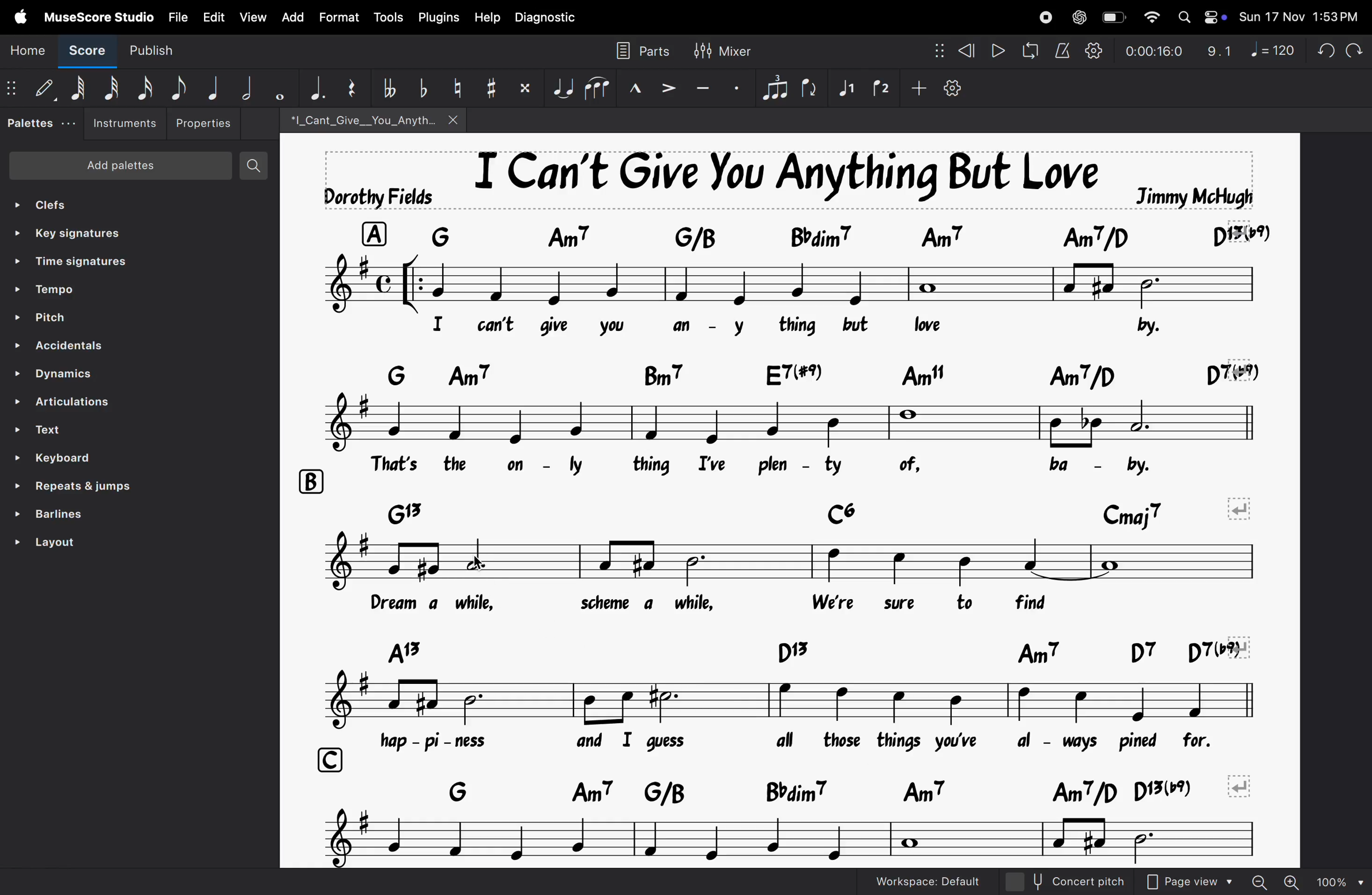 This screenshot has height=895, width=1372. What do you see at coordinates (369, 119) in the screenshot?
I see `song` at bounding box center [369, 119].